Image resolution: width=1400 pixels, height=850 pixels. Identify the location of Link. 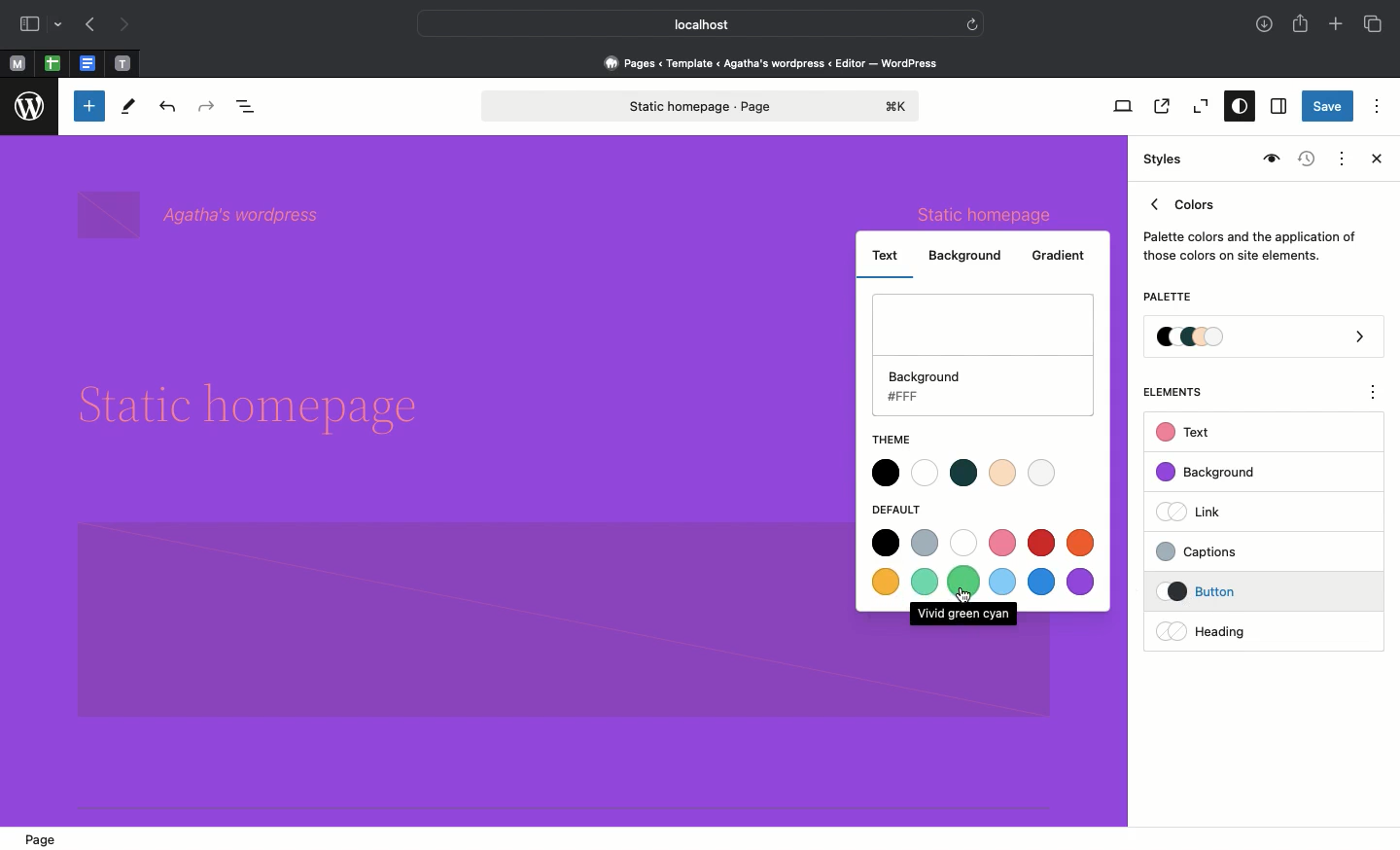
(1197, 511).